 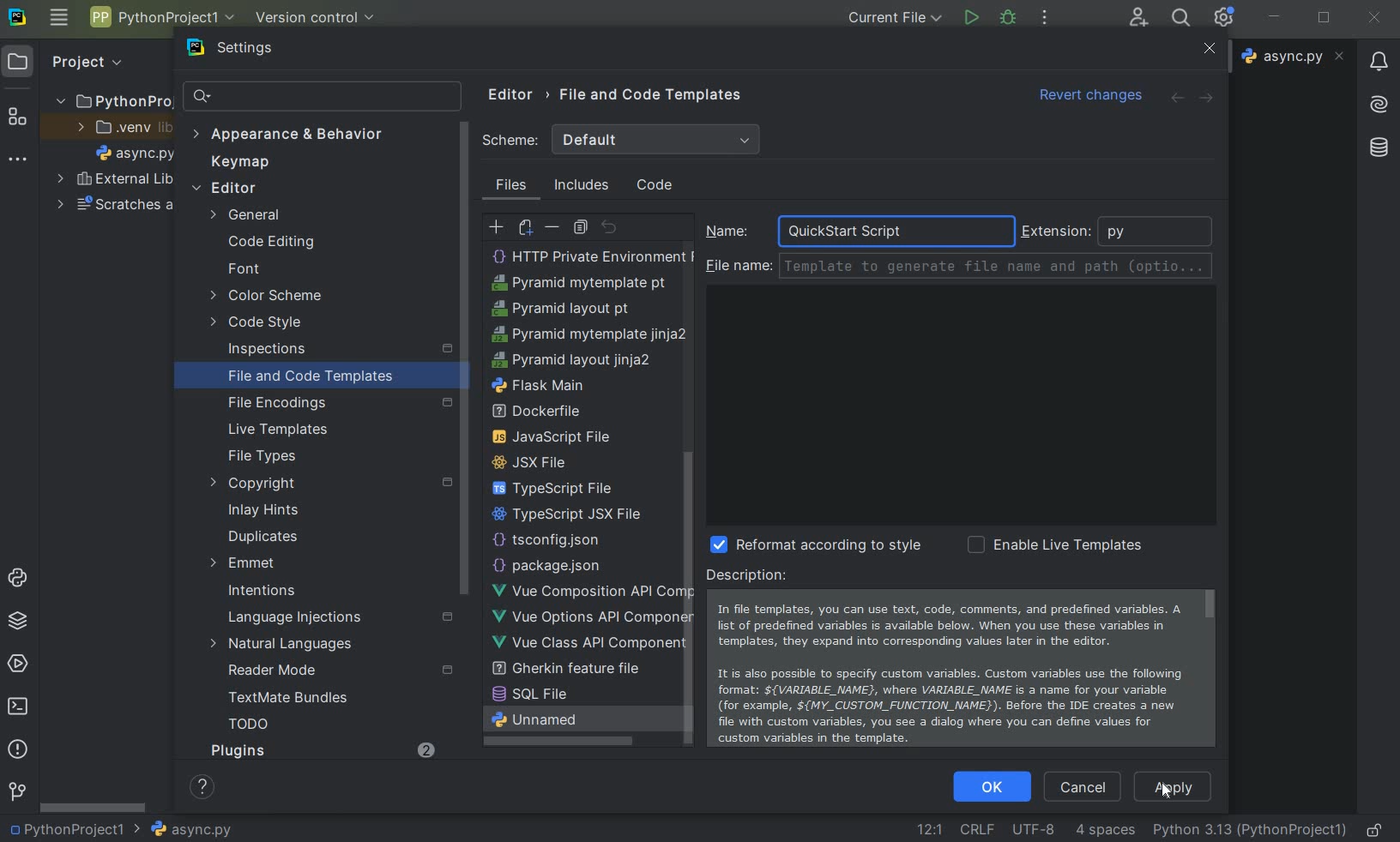 I want to click on editor, so click(x=221, y=187).